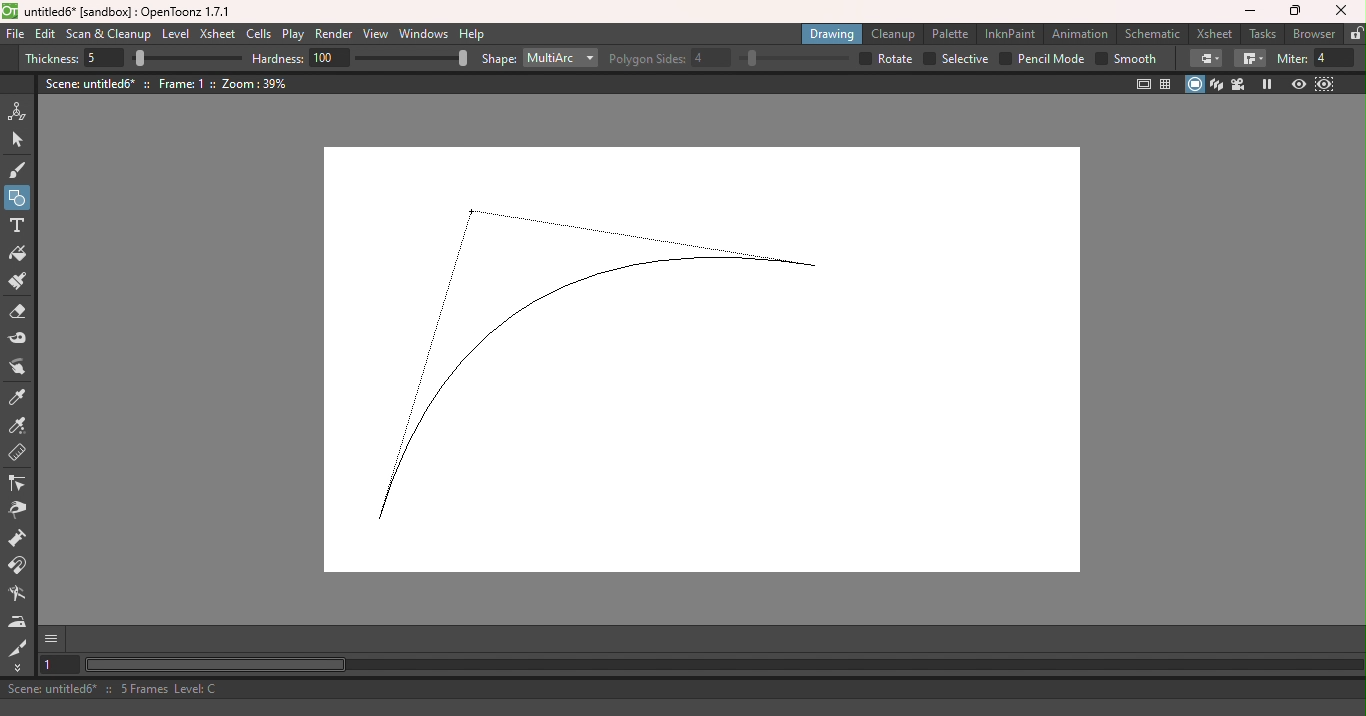 The height and width of the screenshot is (716, 1366). I want to click on untitled6* [sandbox] : OpenToonz 1.7.1, so click(119, 12).